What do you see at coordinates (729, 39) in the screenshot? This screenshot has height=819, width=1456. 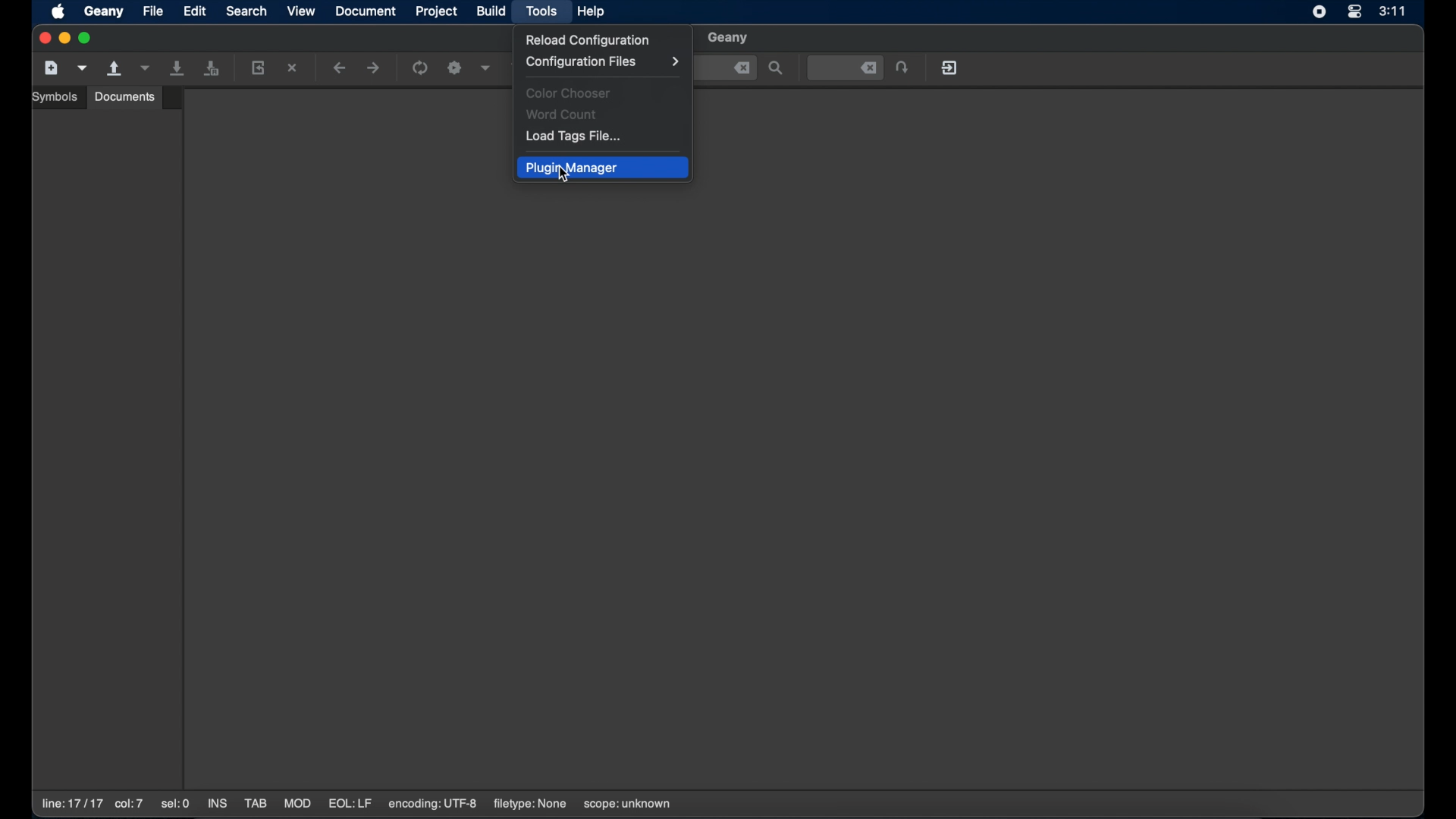 I see `geany` at bounding box center [729, 39].